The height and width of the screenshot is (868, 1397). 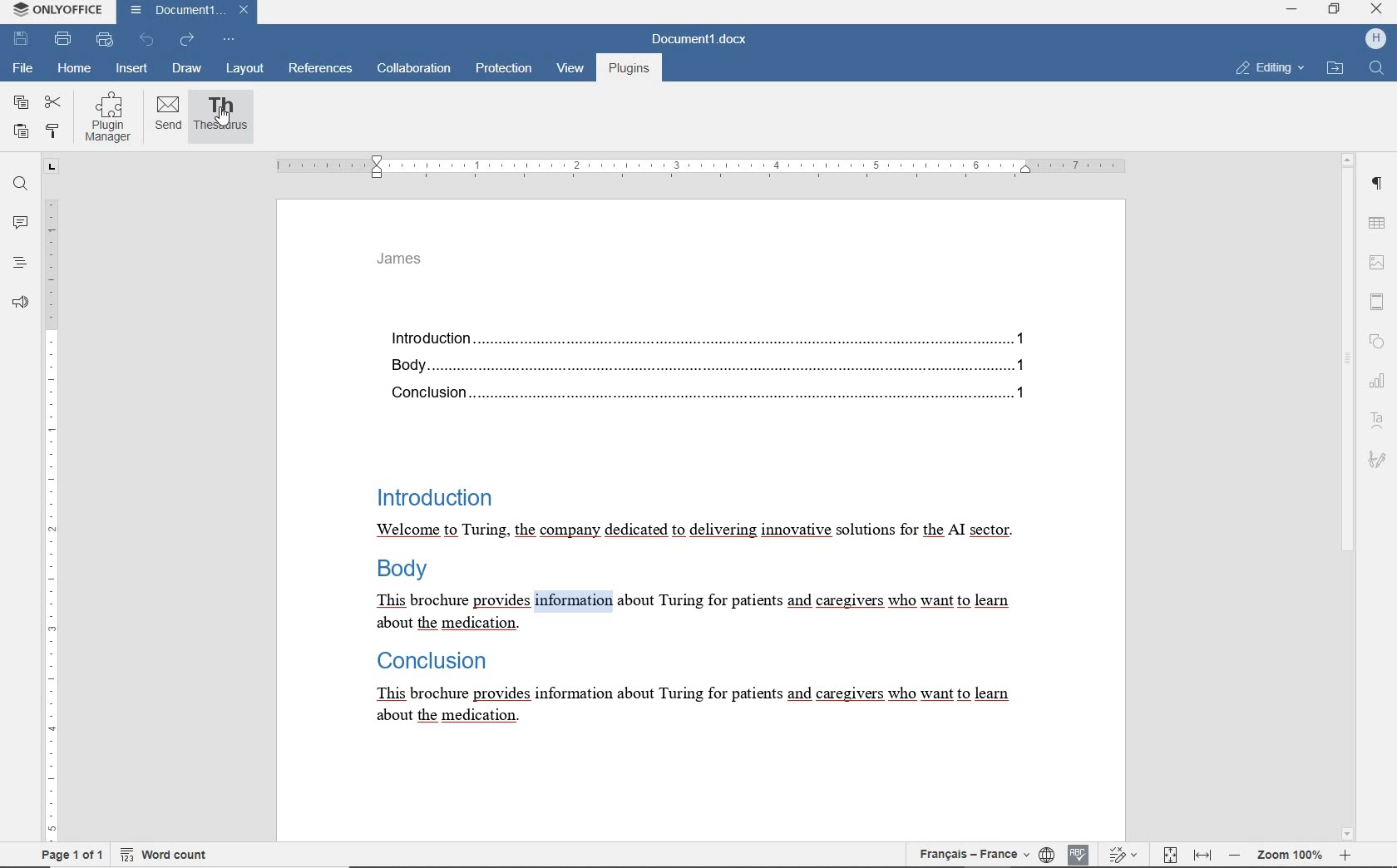 What do you see at coordinates (132, 69) in the screenshot?
I see `INSERT` at bounding box center [132, 69].